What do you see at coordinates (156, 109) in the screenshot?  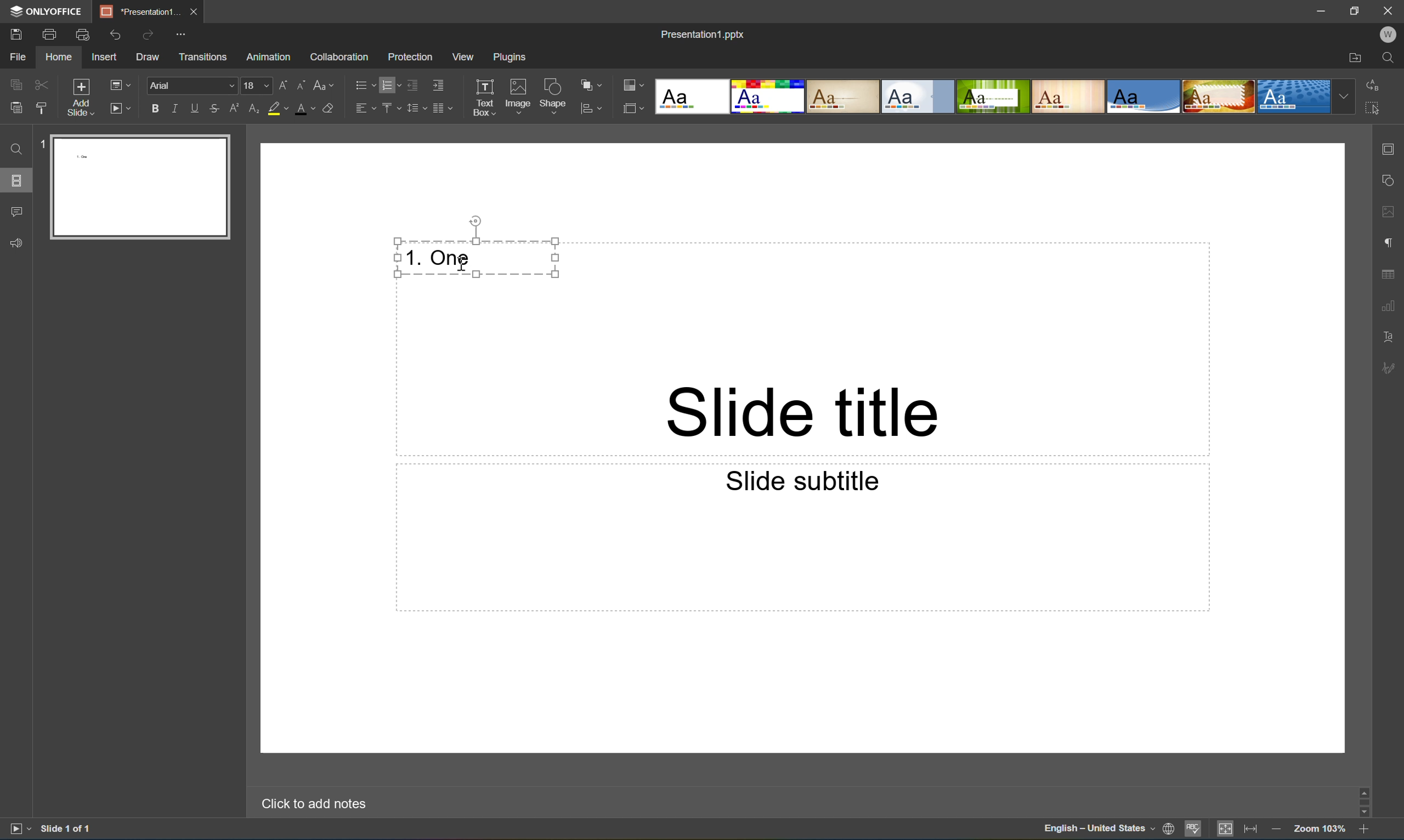 I see `Bold` at bounding box center [156, 109].